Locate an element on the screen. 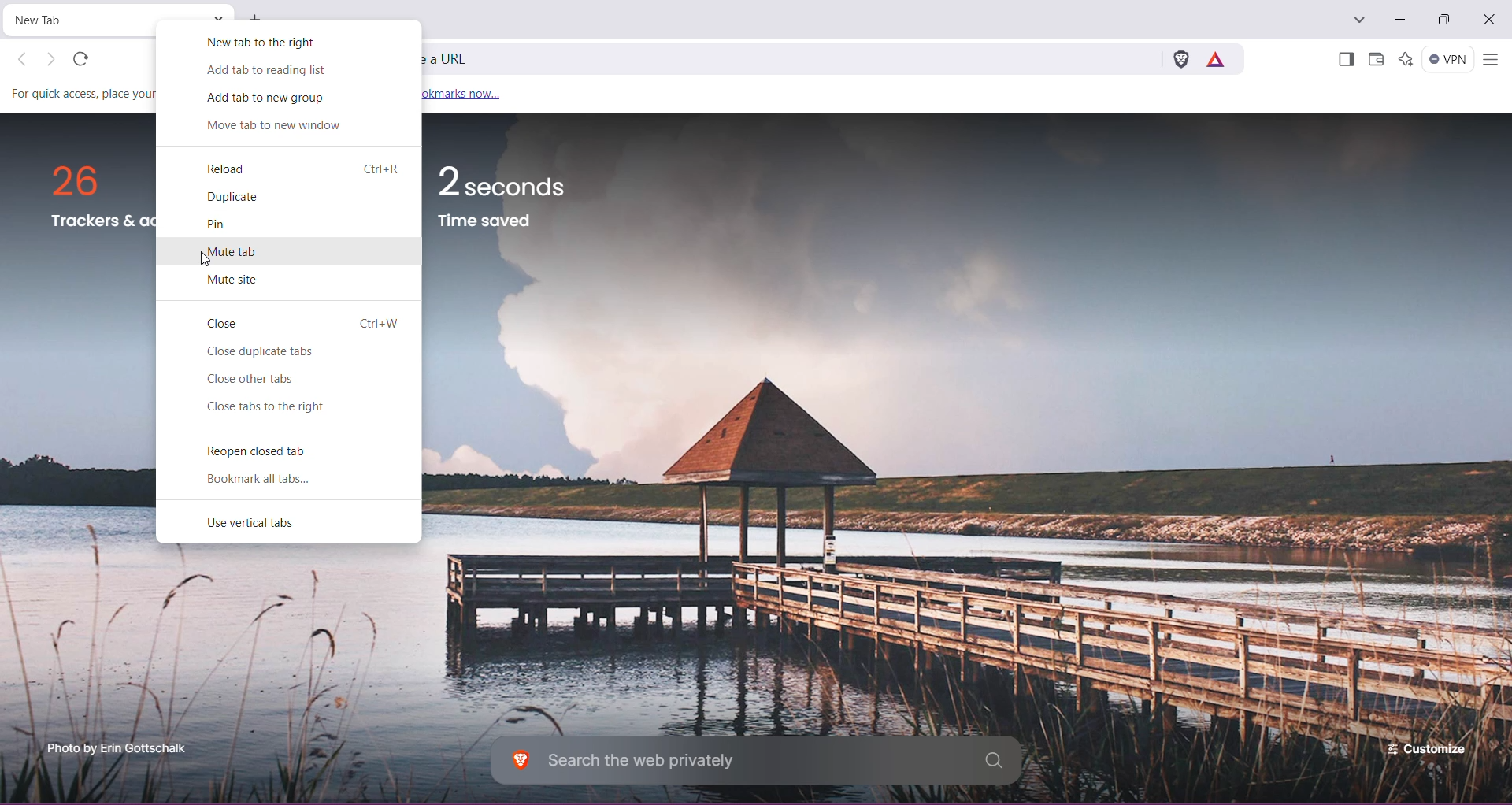 The width and height of the screenshot is (1512, 805). Search the web privately is located at coordinates (754, 760).